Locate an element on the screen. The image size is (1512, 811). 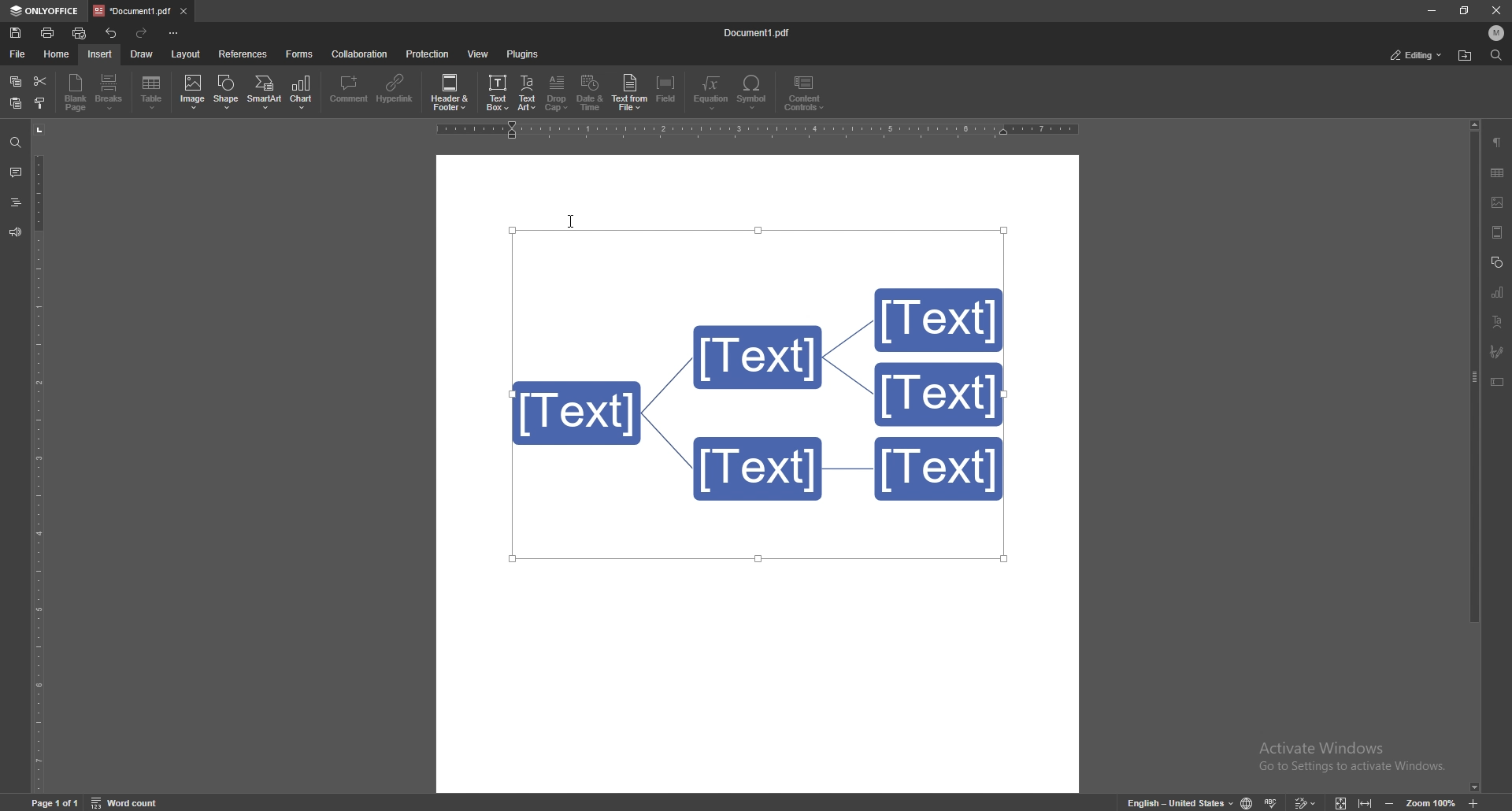
draw is located at coordinates (143, 54).